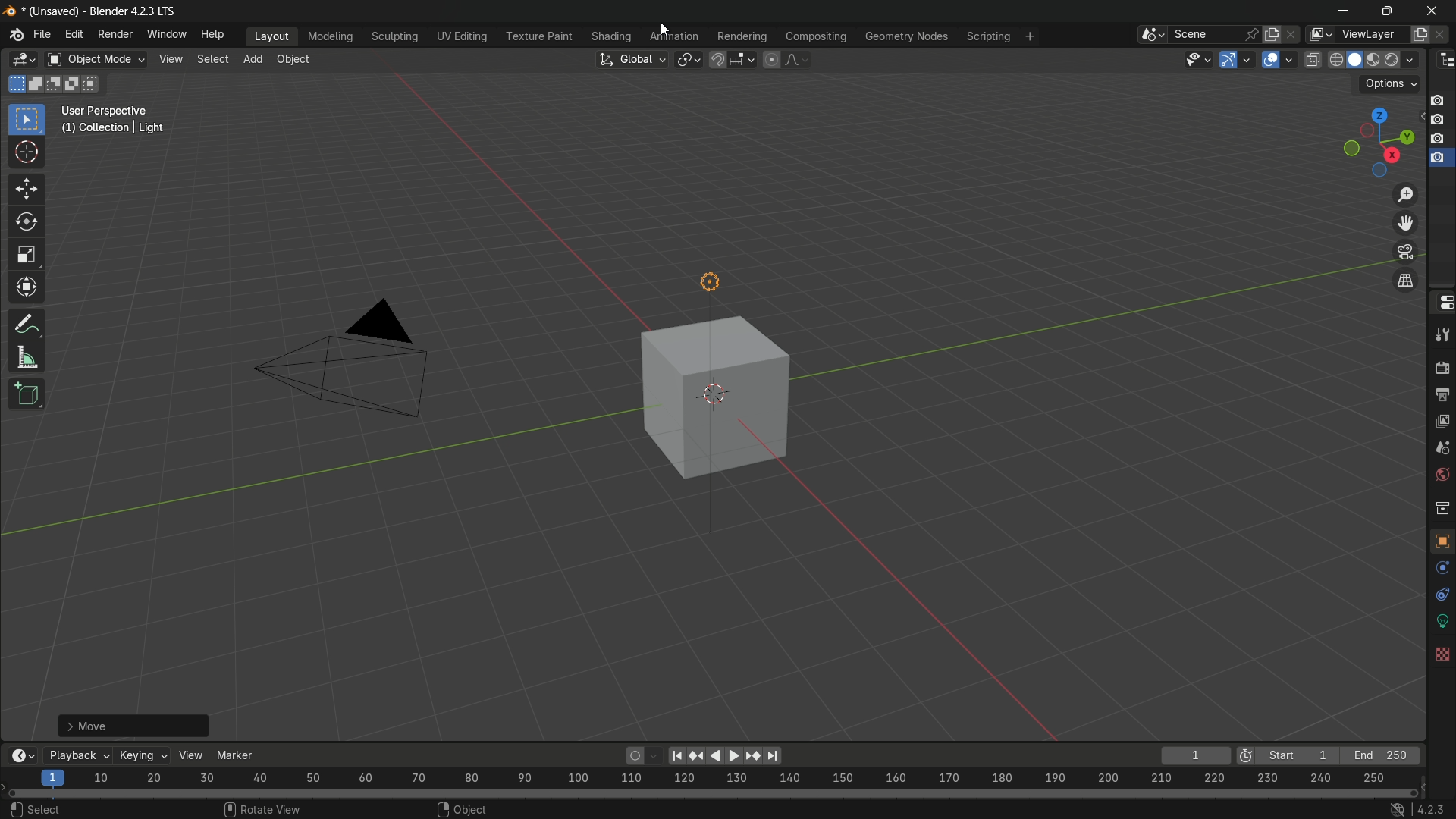 This screenshot has height=819, width=1456. I want to click on modeling menu, so click(331, 37).